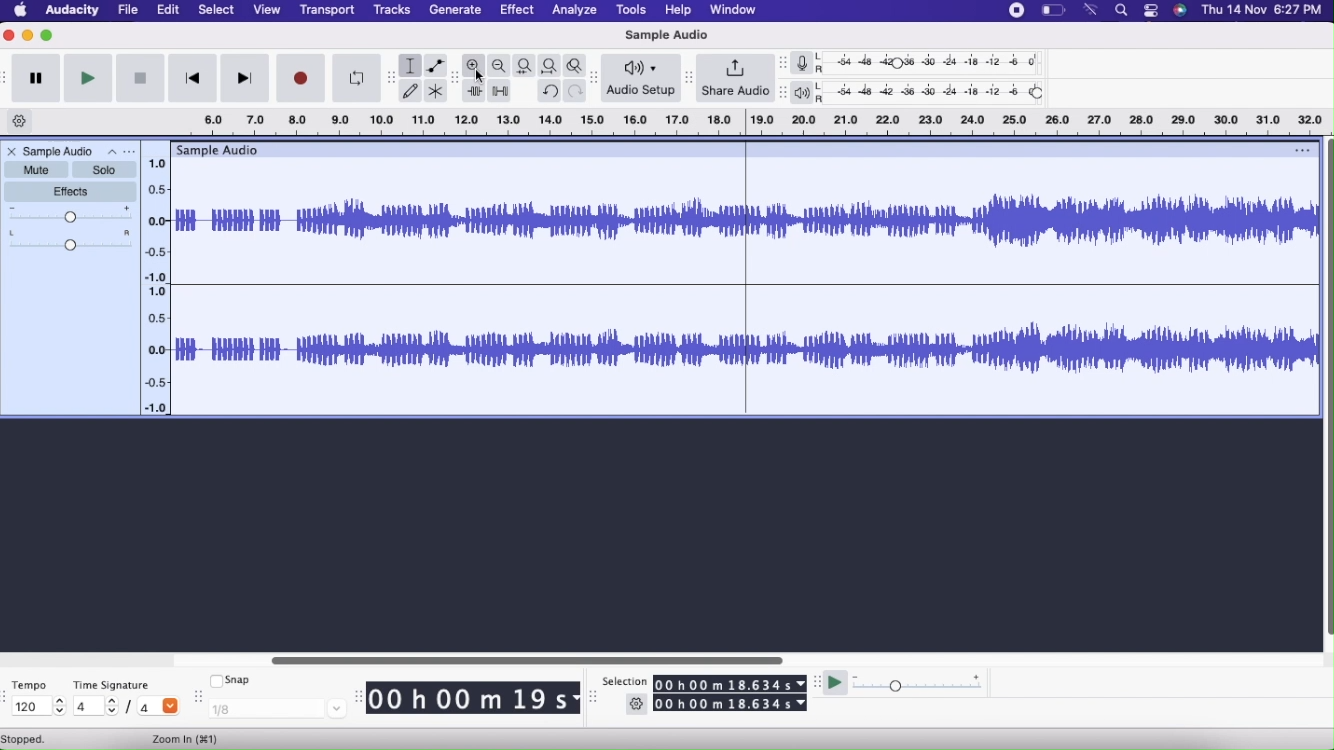 This screenshot has height=750, width=1334. Describe the element at coordinates (359, 696) in the screenshot. I see `resize` at that location.